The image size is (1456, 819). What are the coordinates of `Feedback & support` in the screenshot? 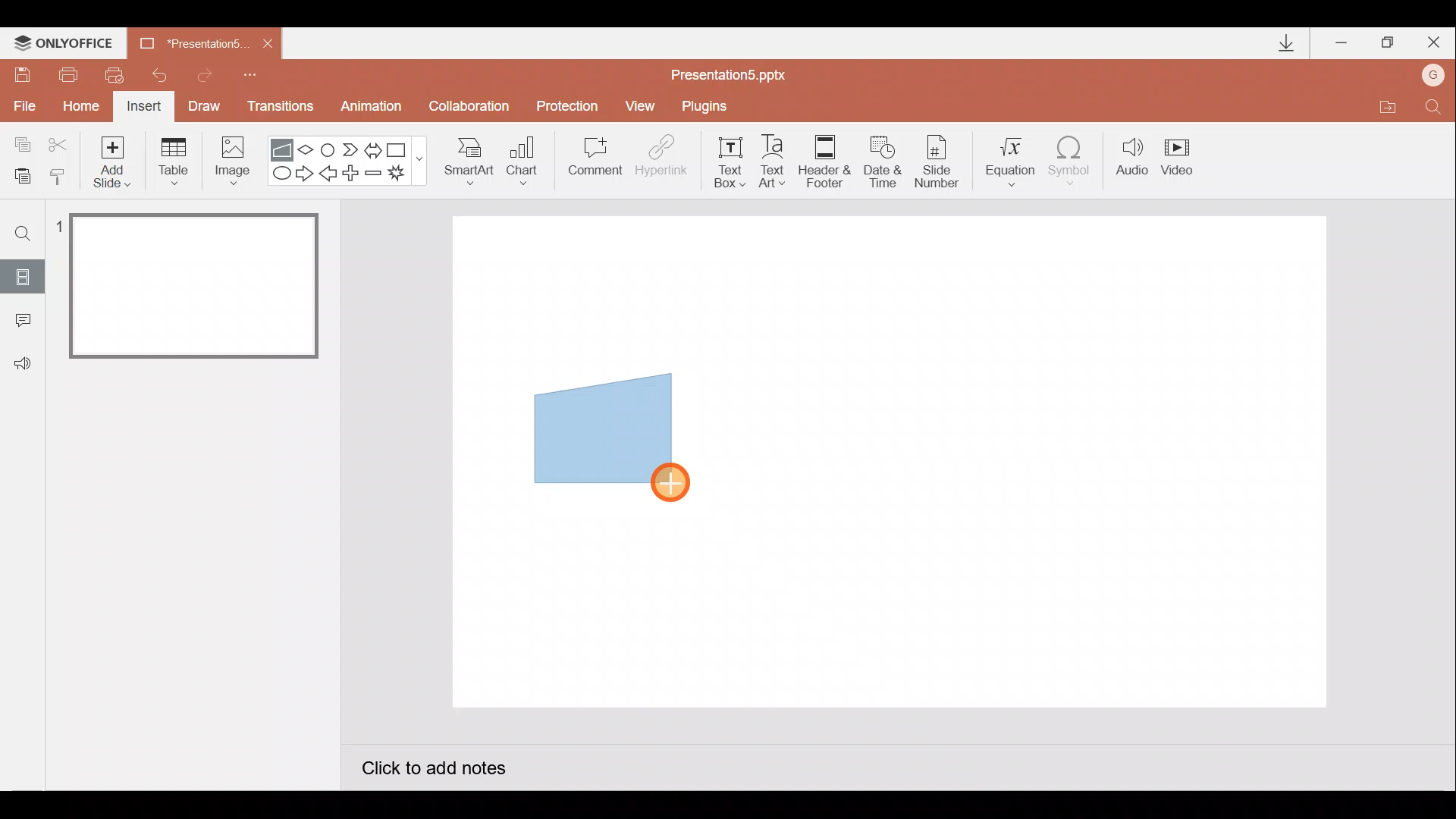 It's located at (24, 362).